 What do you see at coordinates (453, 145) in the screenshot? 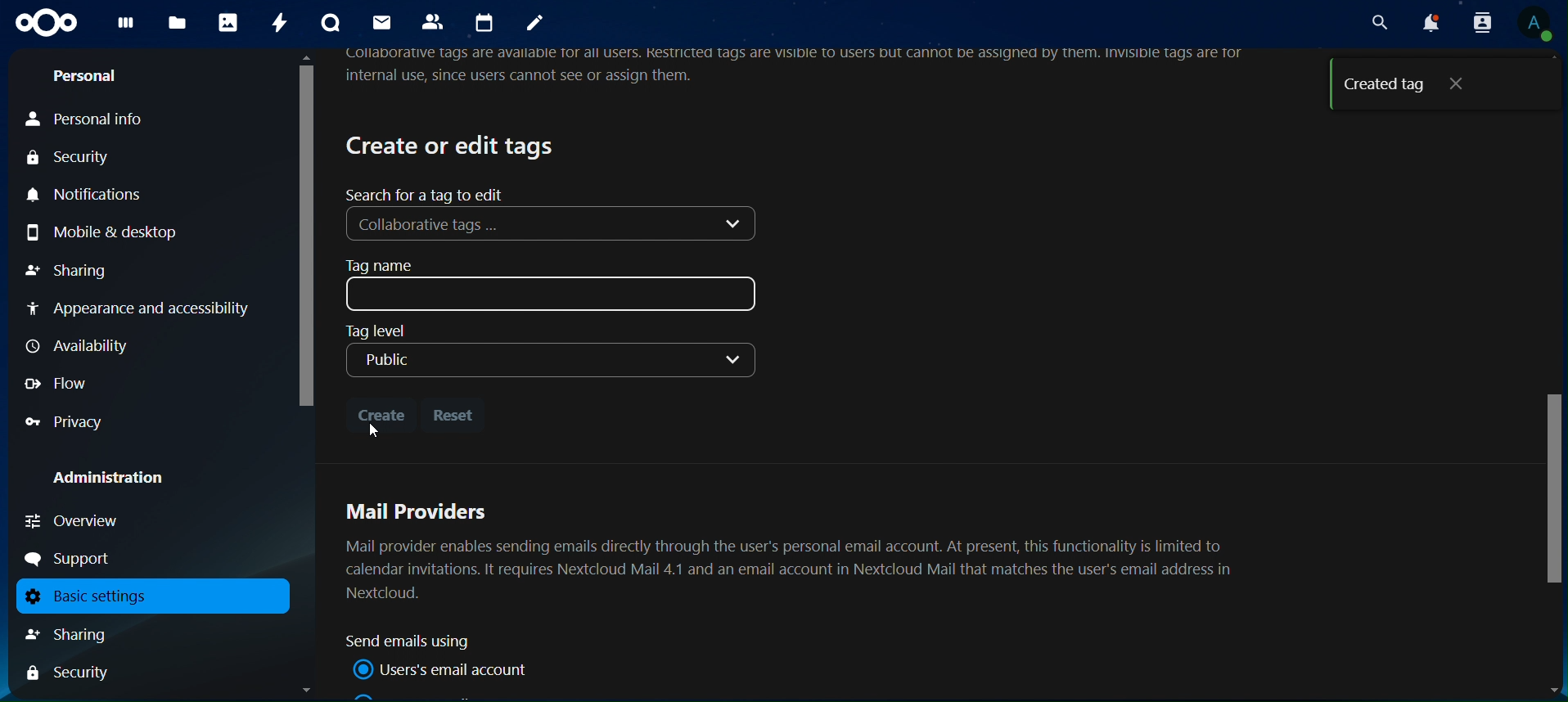
I see `create or edit tags` at bounding box center [453, 145].